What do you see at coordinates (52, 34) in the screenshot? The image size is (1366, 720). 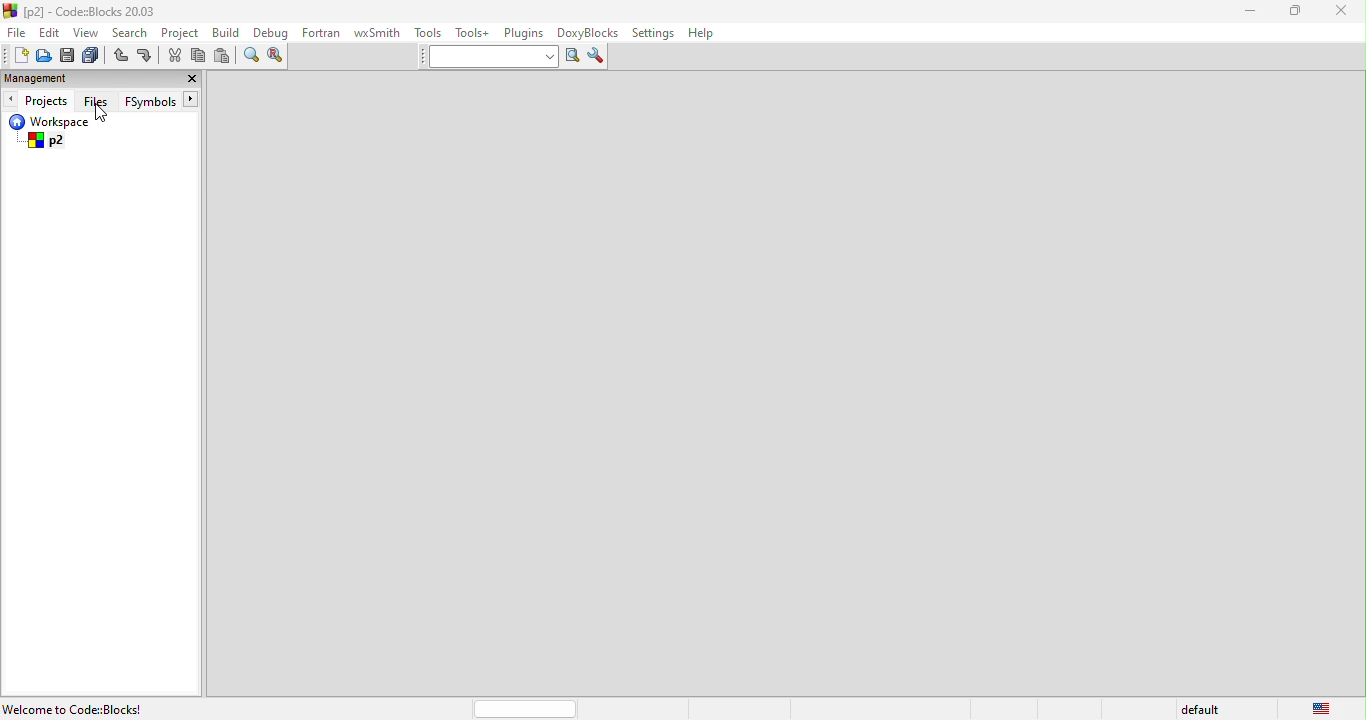 I see `edit` at bounding box center [52, 34].